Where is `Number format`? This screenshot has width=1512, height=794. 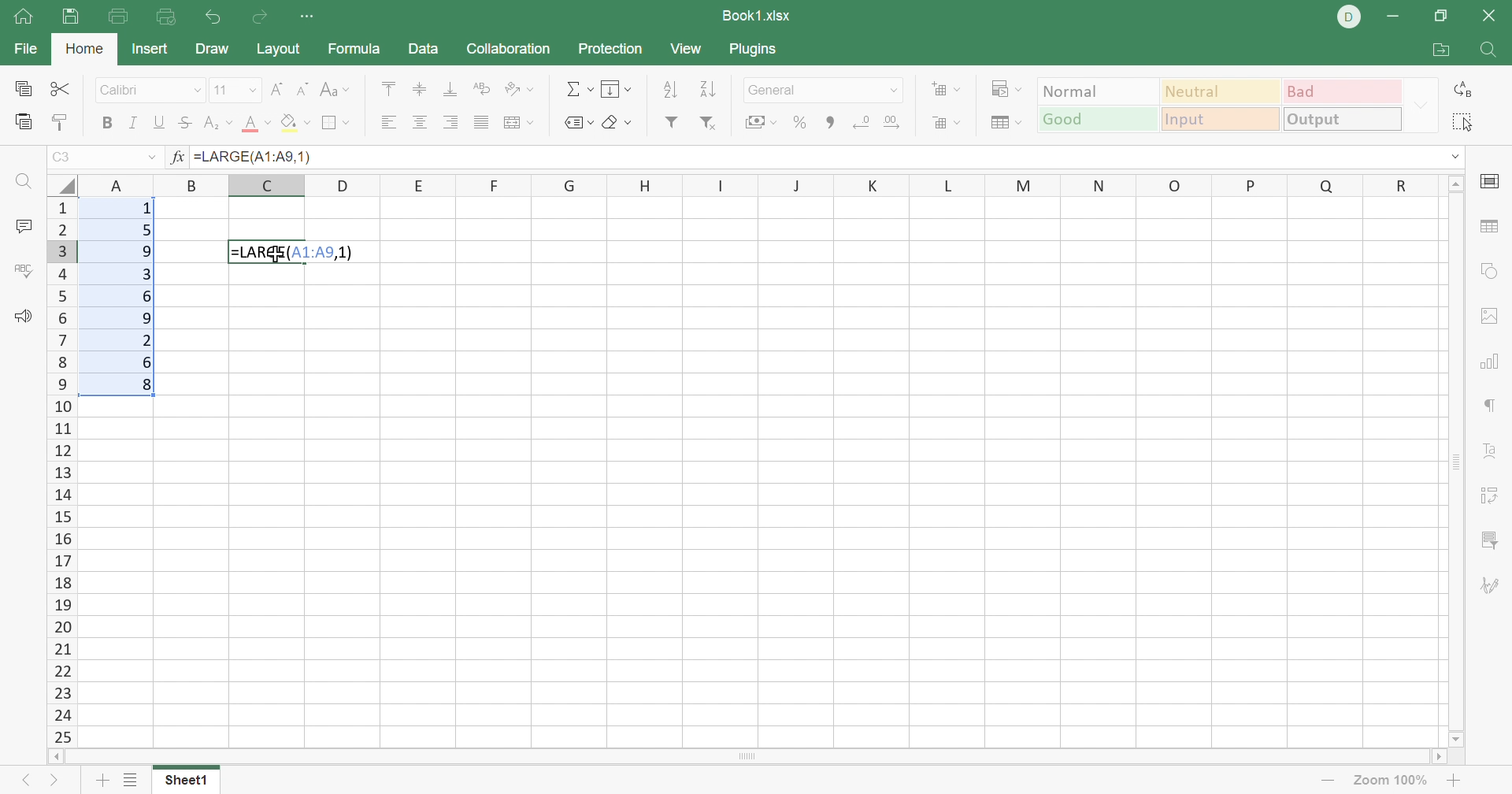
Number format is located at coordinates (802, 90).